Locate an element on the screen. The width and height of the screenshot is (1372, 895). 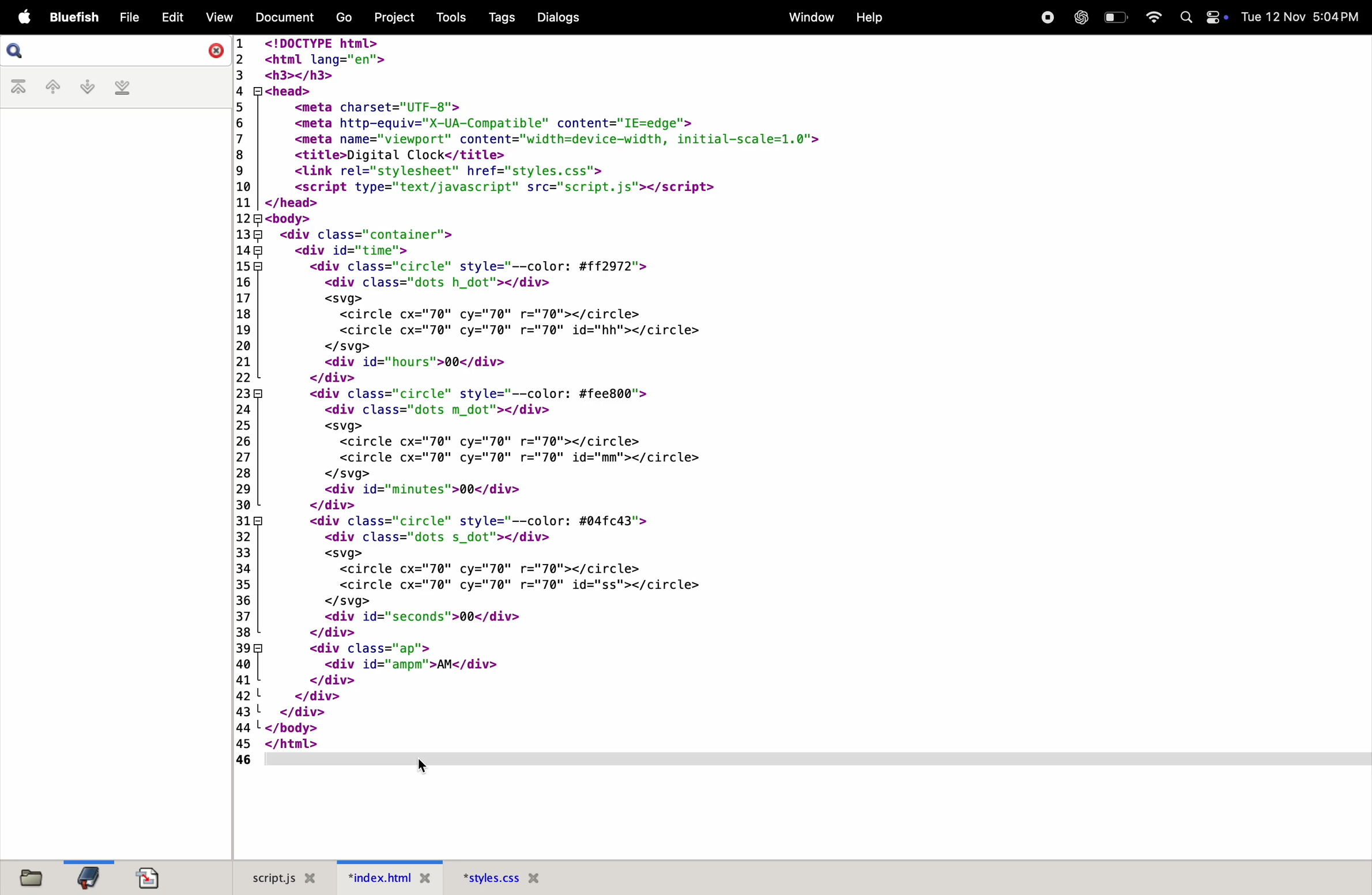
code block is located at coordinates (673, 393).